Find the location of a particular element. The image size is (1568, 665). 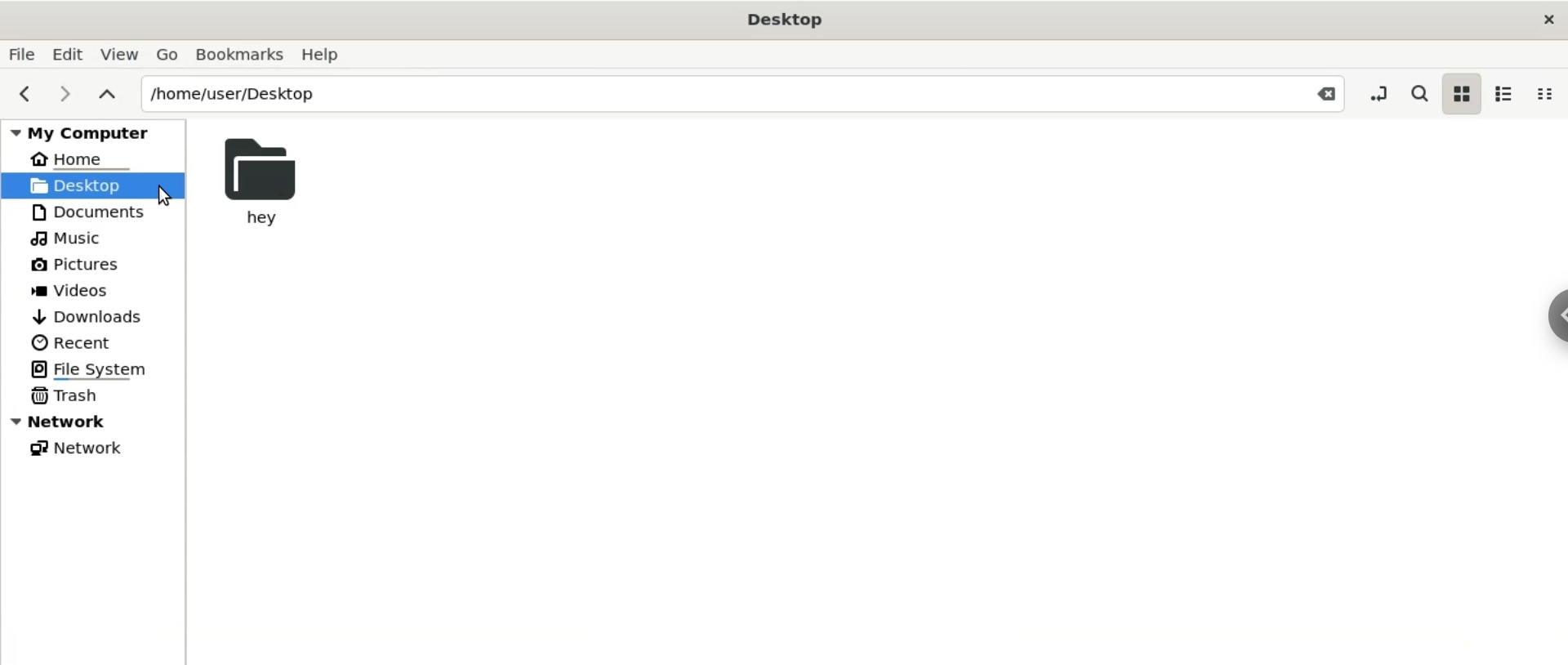

close is located at coordinates (1543, 17).